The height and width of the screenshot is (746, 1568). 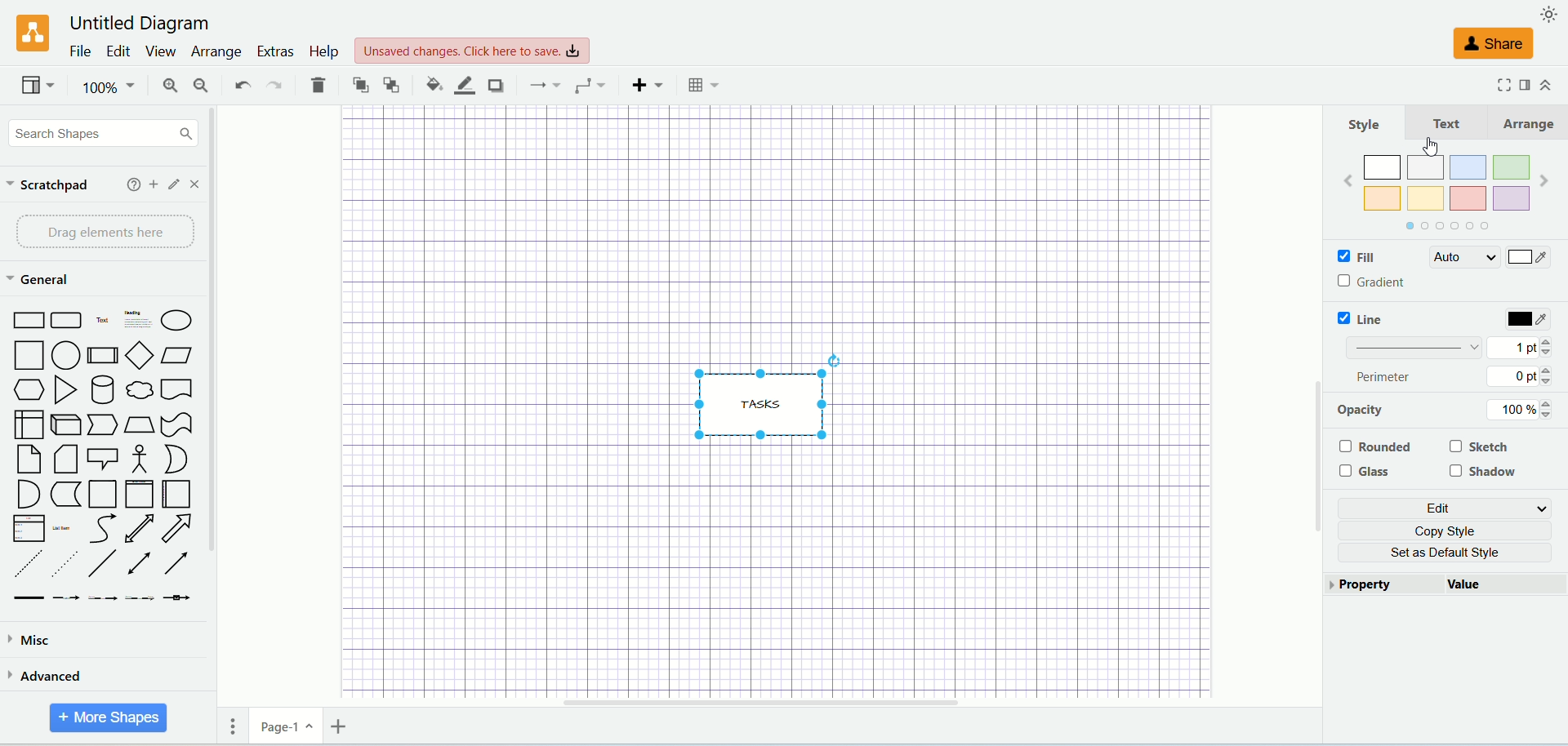 I want to click on vertical scroll bar, so click(x=220, y=400).